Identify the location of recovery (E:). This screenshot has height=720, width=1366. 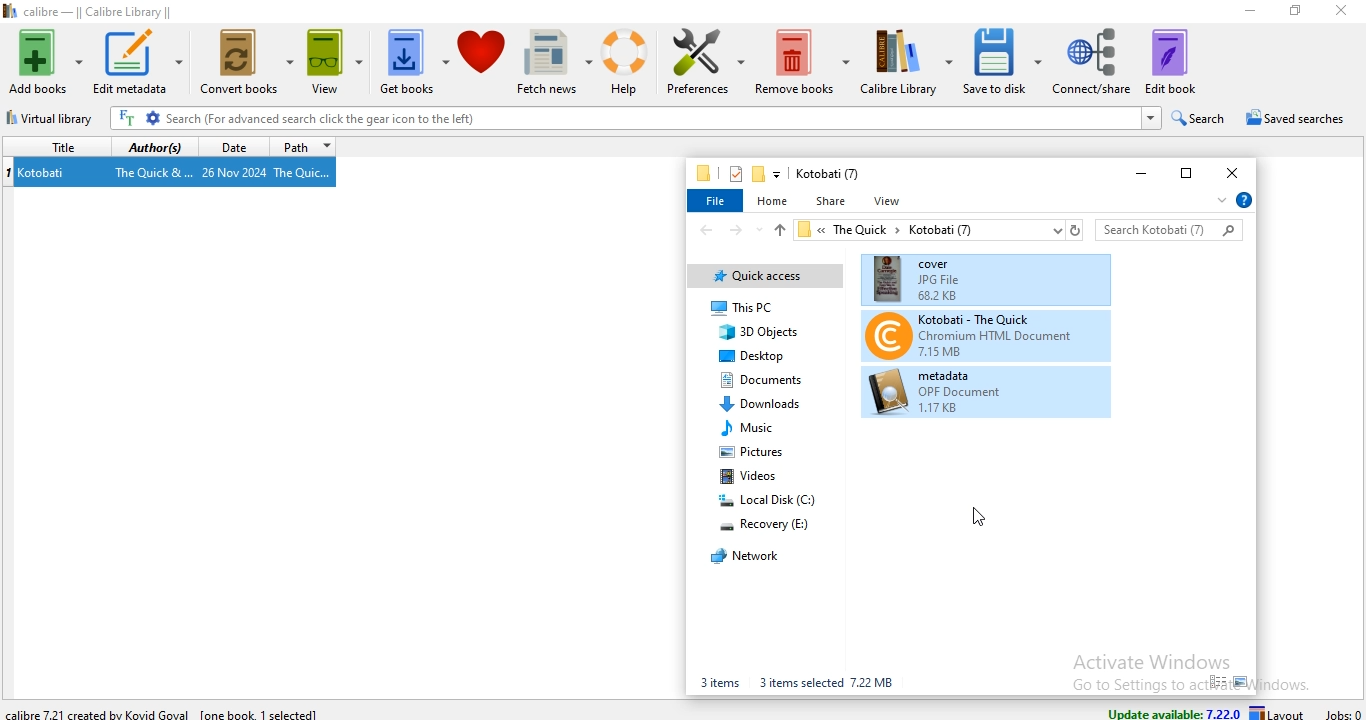
(766, 525).